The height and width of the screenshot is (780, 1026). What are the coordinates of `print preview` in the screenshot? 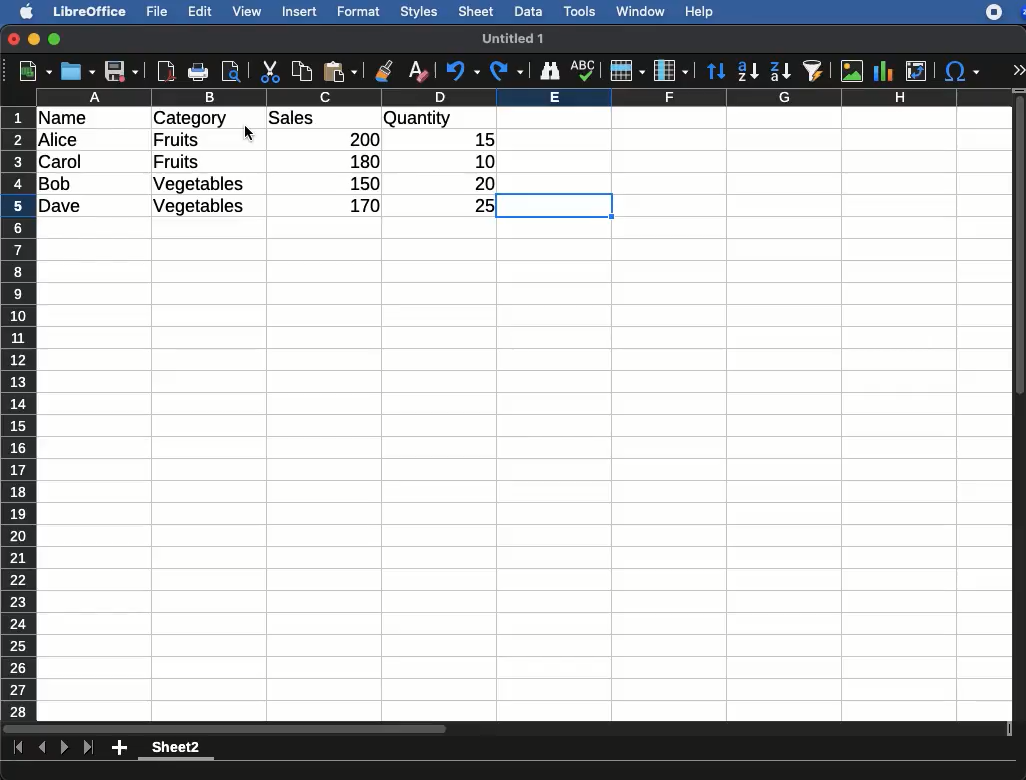 It's located at (231, 73).